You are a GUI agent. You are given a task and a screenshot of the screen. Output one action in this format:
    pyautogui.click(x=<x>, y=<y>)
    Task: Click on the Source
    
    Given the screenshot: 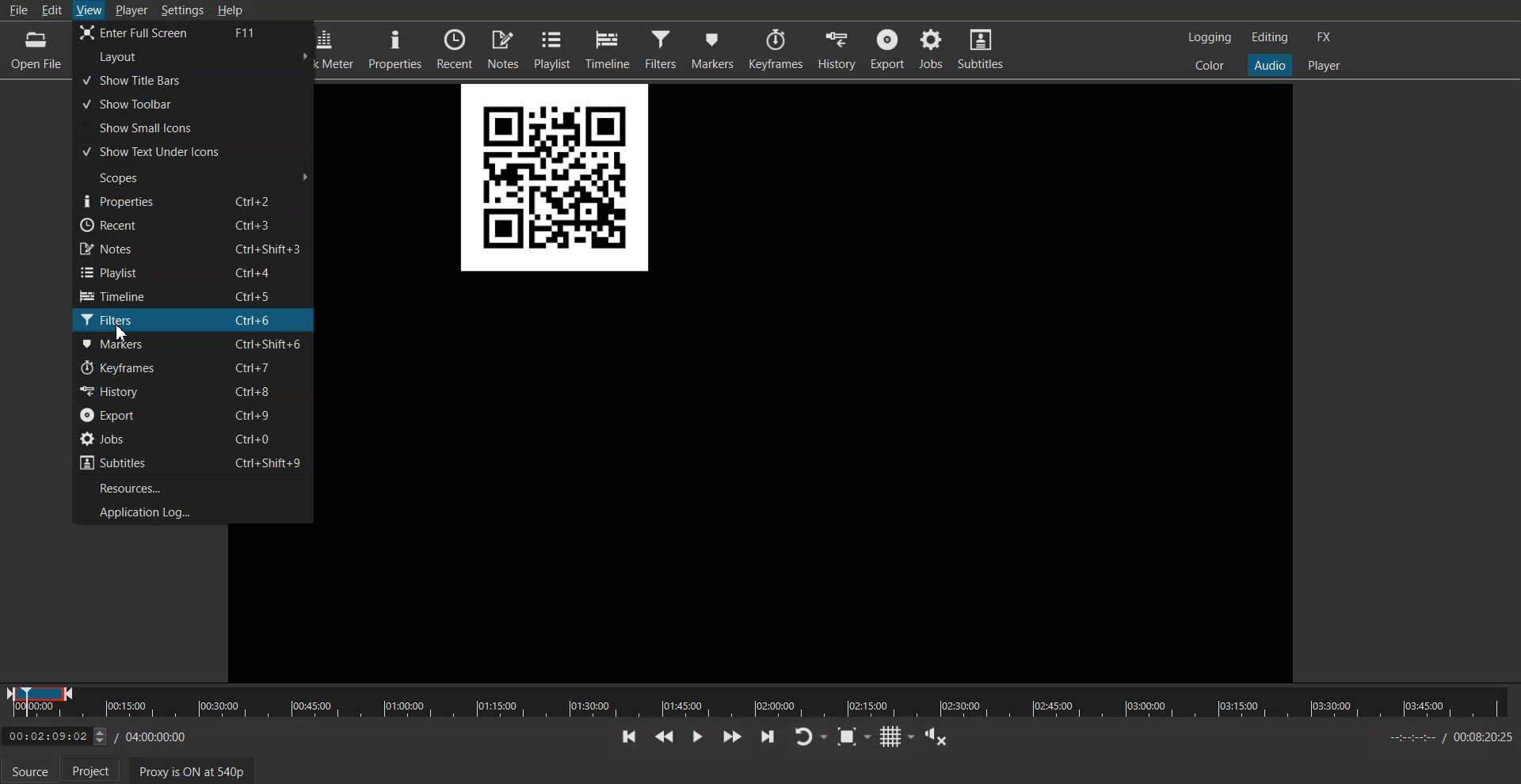 What is the action you would take?
    pyautogui.click(x=30, y=770)
    